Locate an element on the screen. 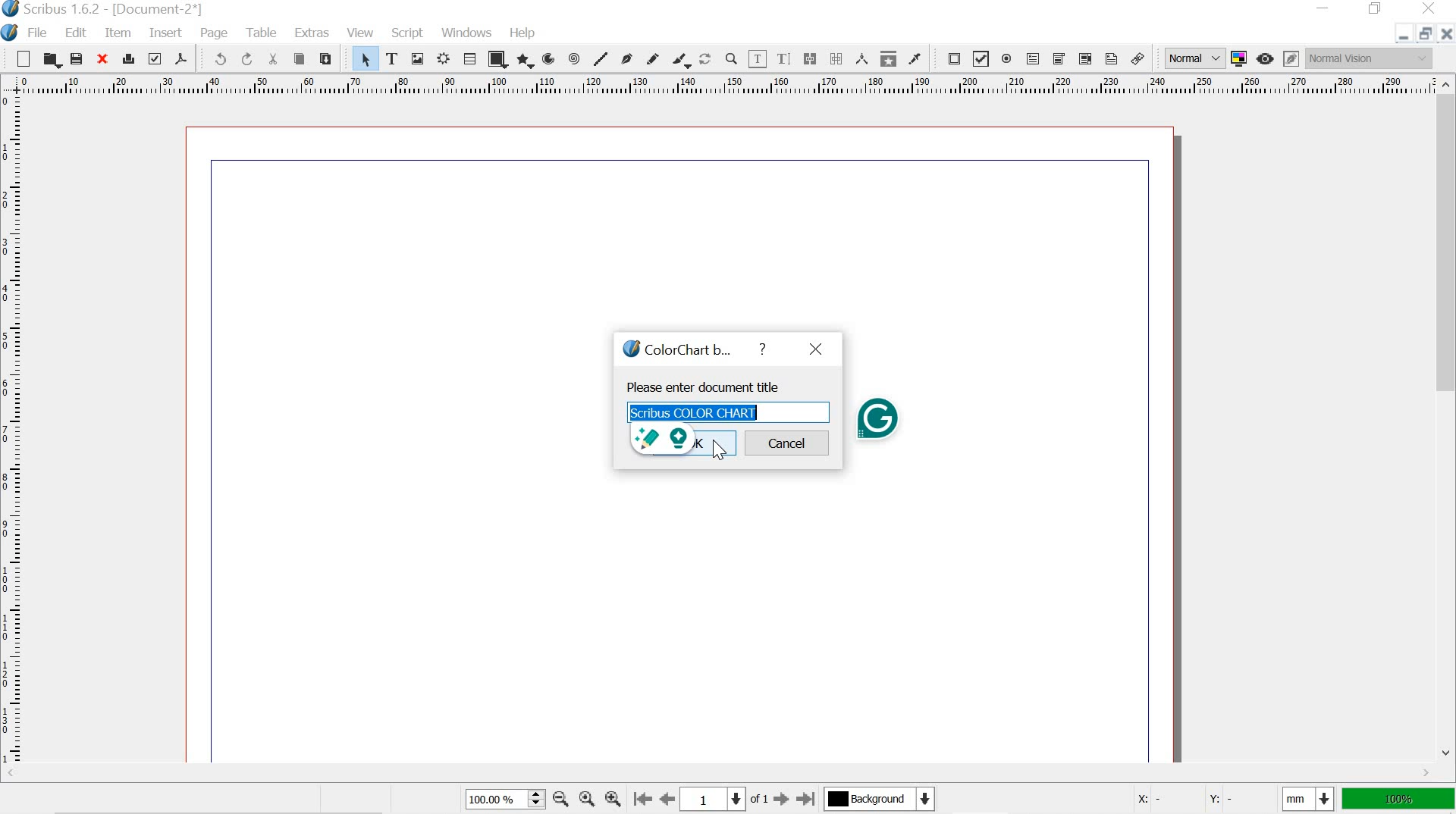 The height and width of the screenshot is (814, 1456). shape is located at coordinates (497, 59).